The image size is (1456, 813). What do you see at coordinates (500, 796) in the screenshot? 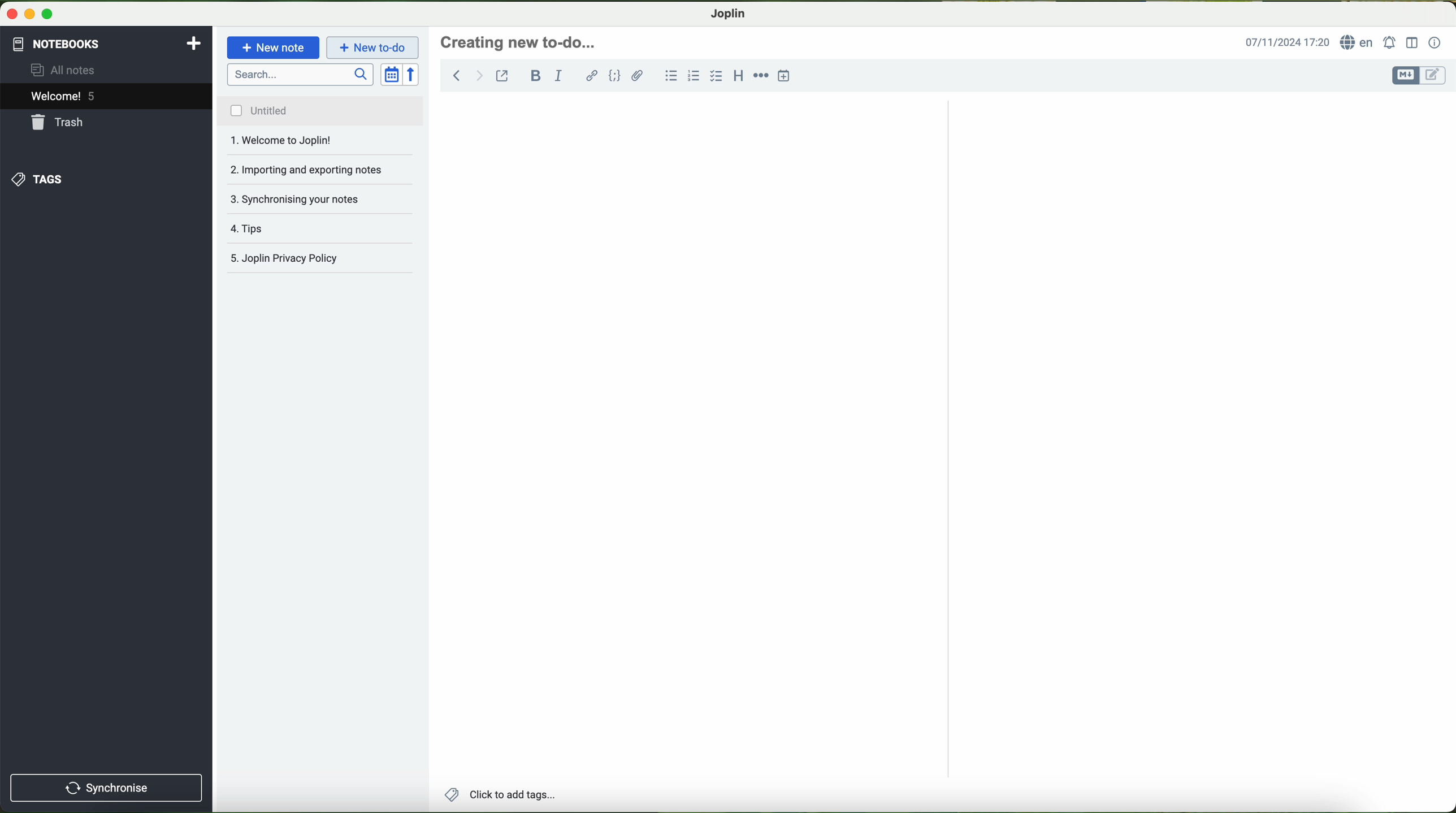
I see `add tags` at bounding box center [500, 796].